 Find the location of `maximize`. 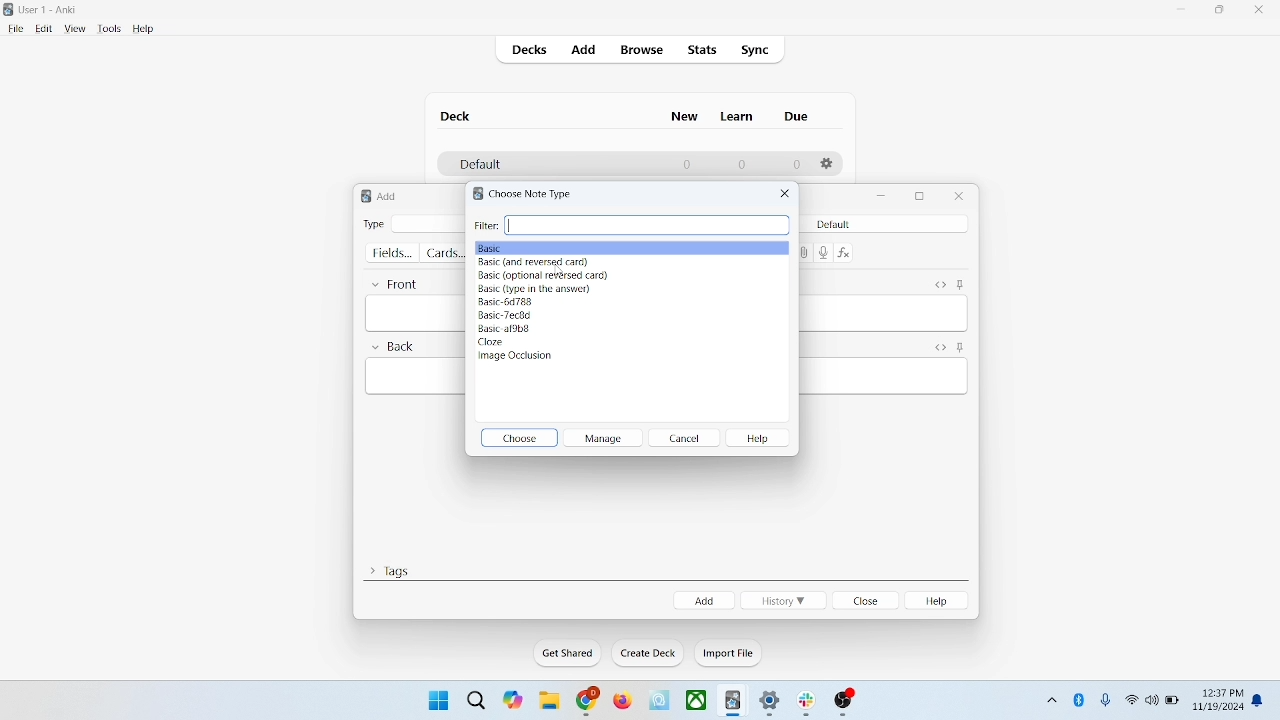

maximize is located at coordinates (920, 197).